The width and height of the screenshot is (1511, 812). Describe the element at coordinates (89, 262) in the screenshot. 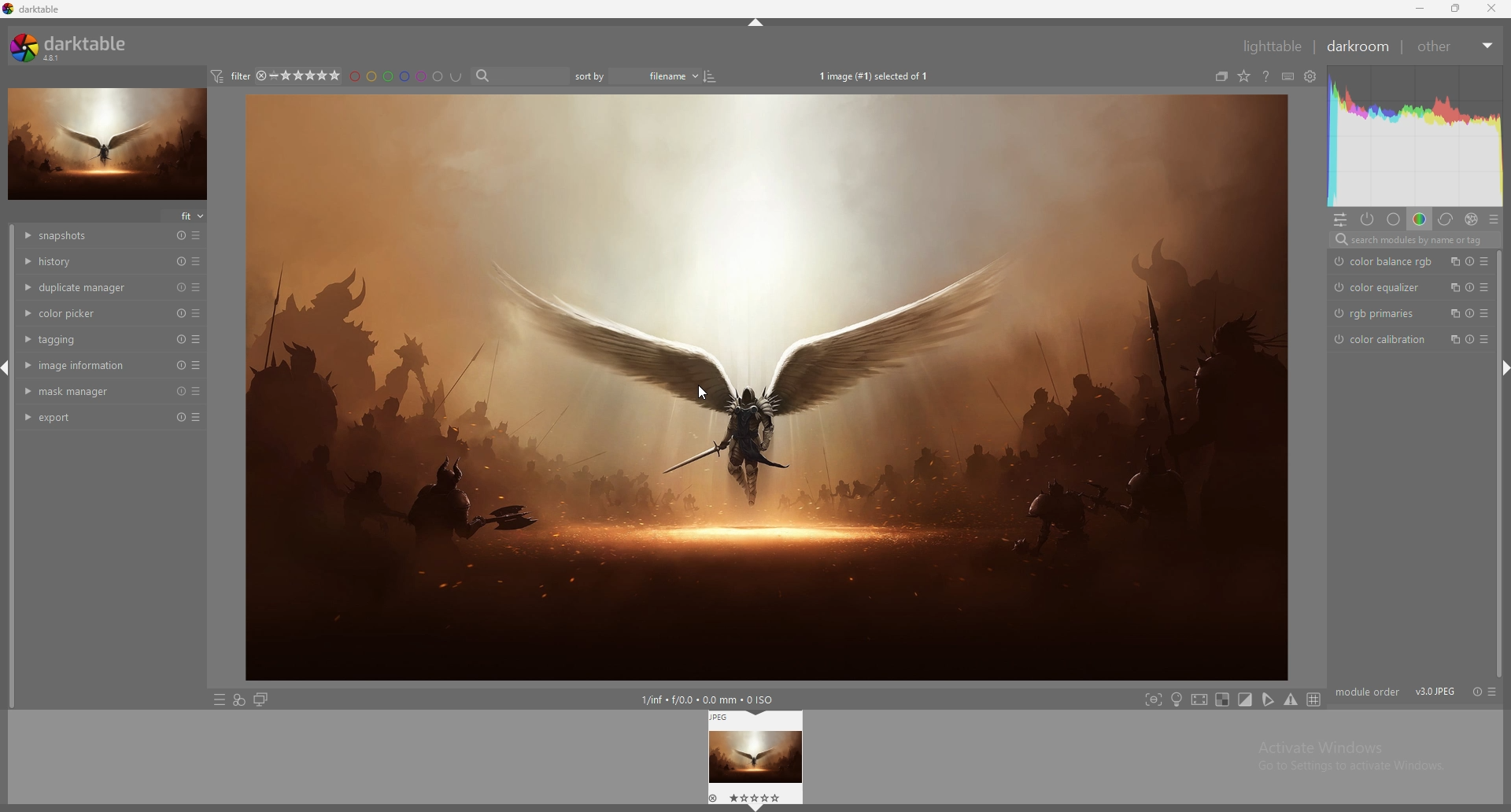

I see `history` at that location.